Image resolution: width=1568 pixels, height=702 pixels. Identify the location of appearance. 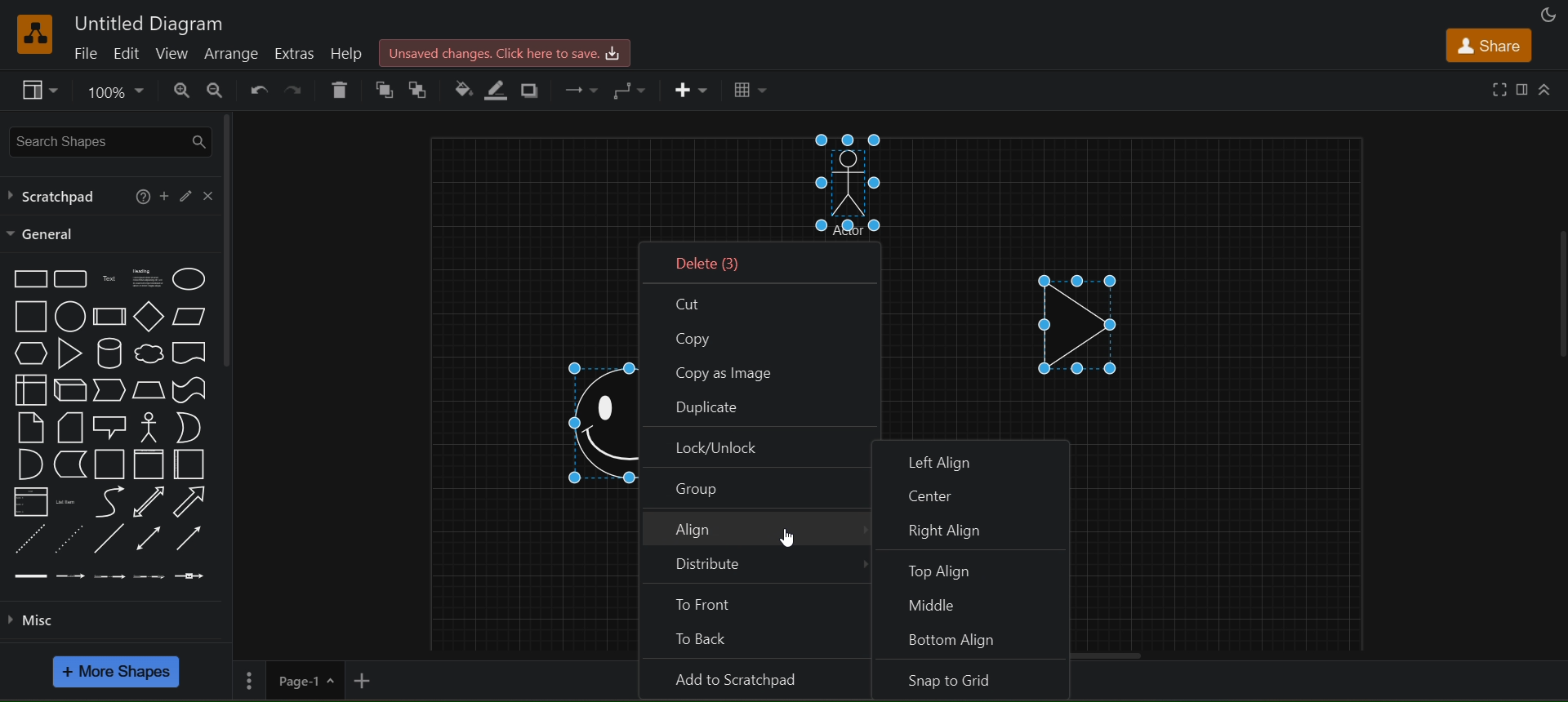
(1547, 15).